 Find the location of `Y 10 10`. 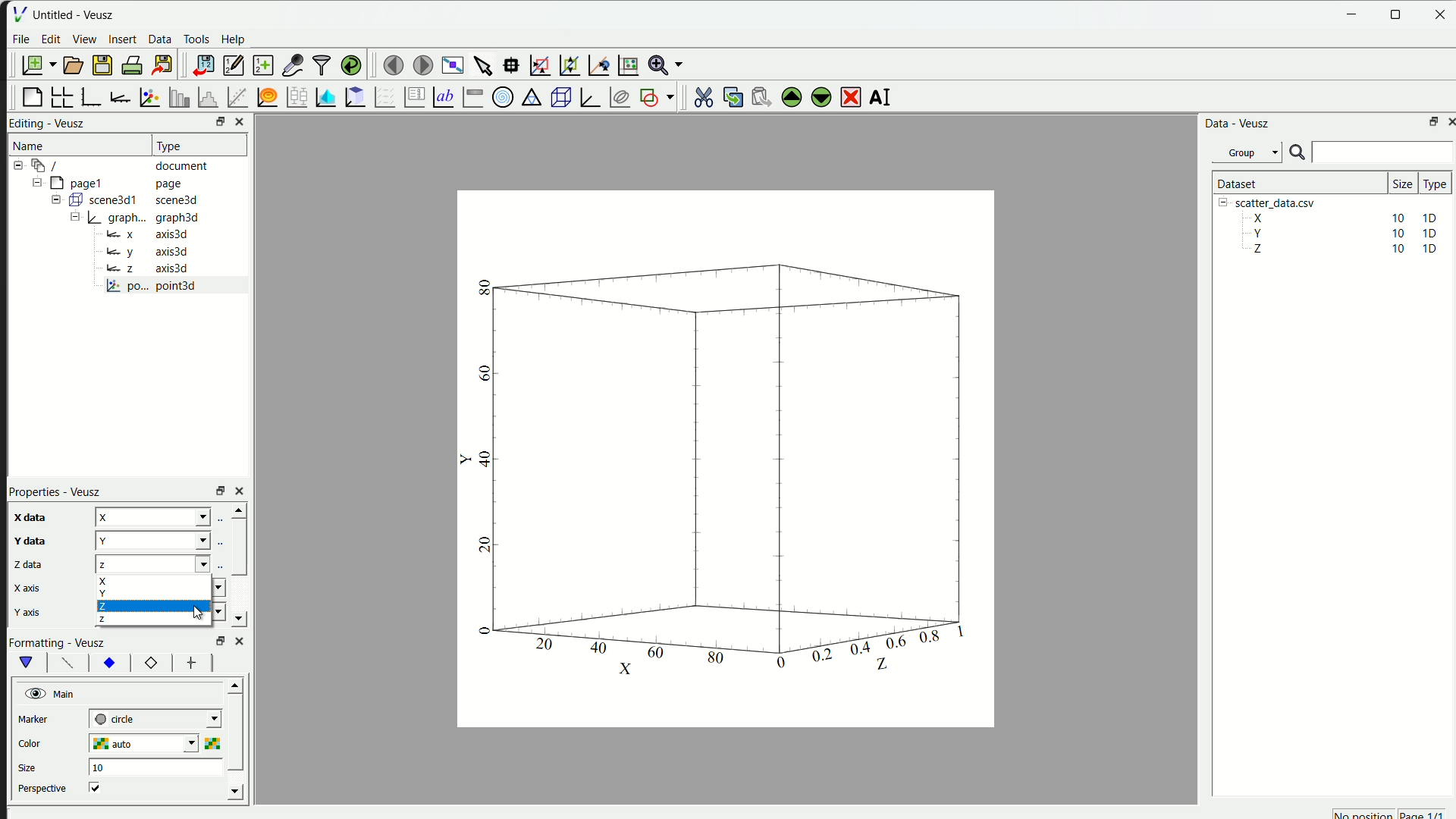

Y 10 10 is located at coordinates (1339, 234).